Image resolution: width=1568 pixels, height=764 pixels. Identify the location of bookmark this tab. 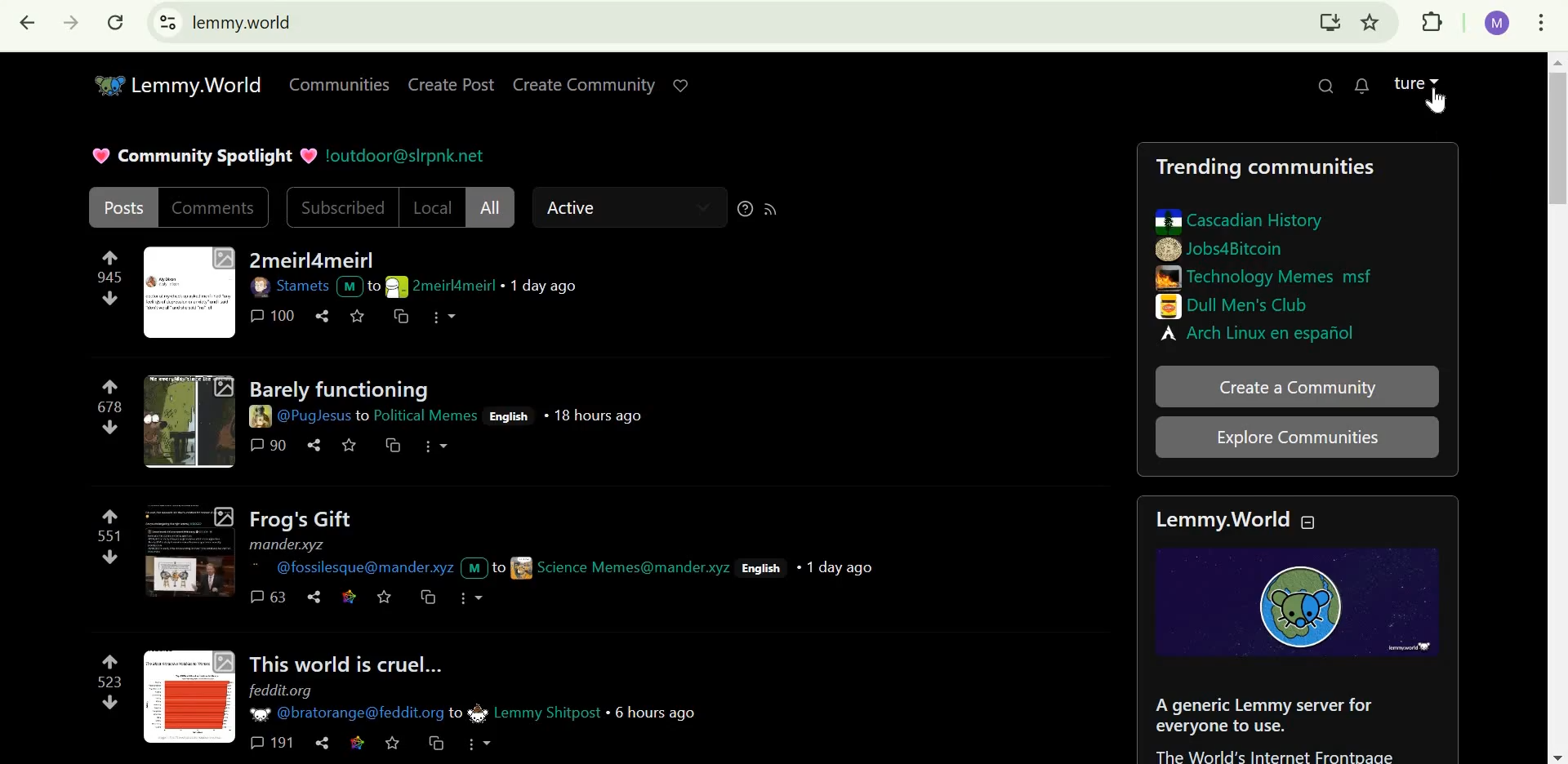
(1371, 22).